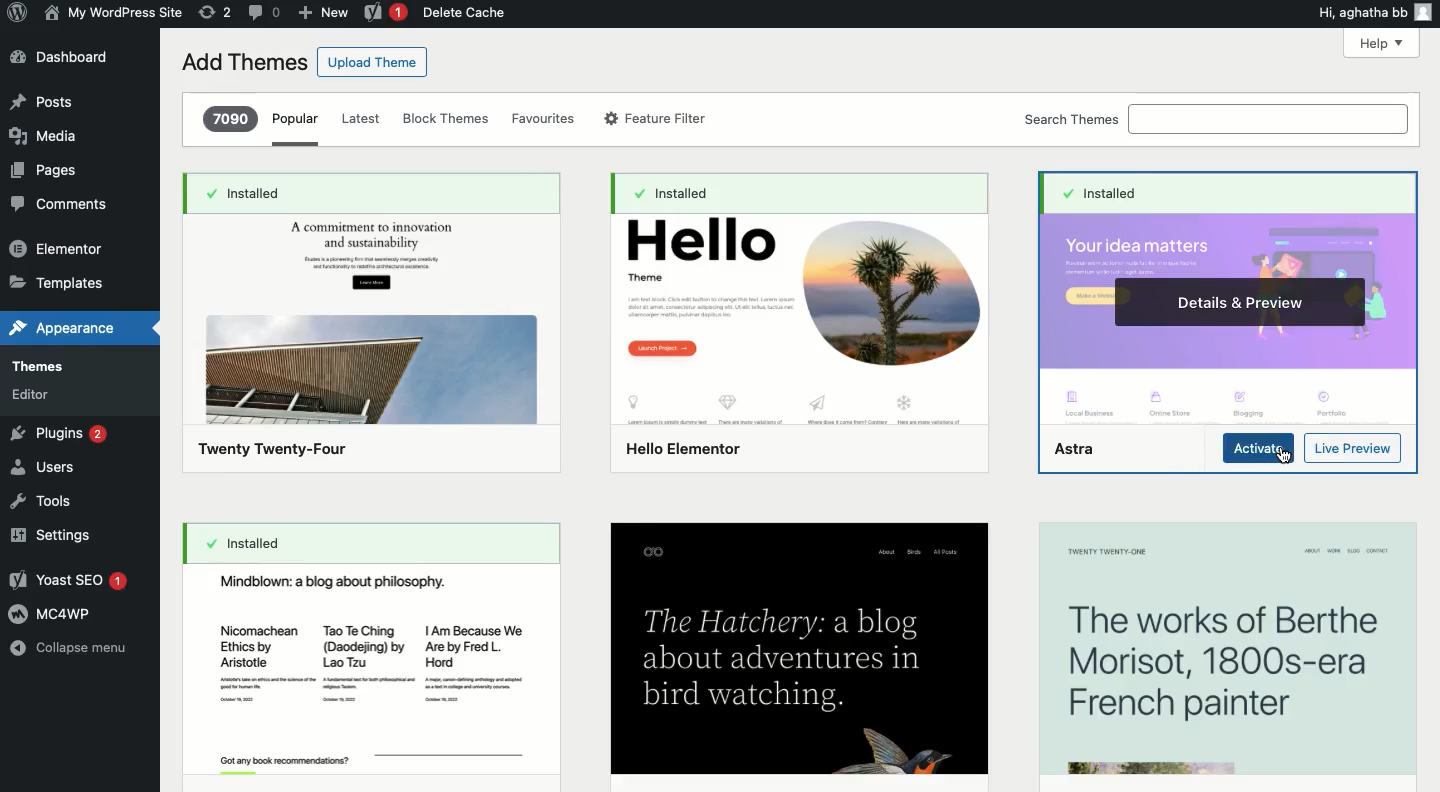  I want to click on MC4WP, so click(51, 613).